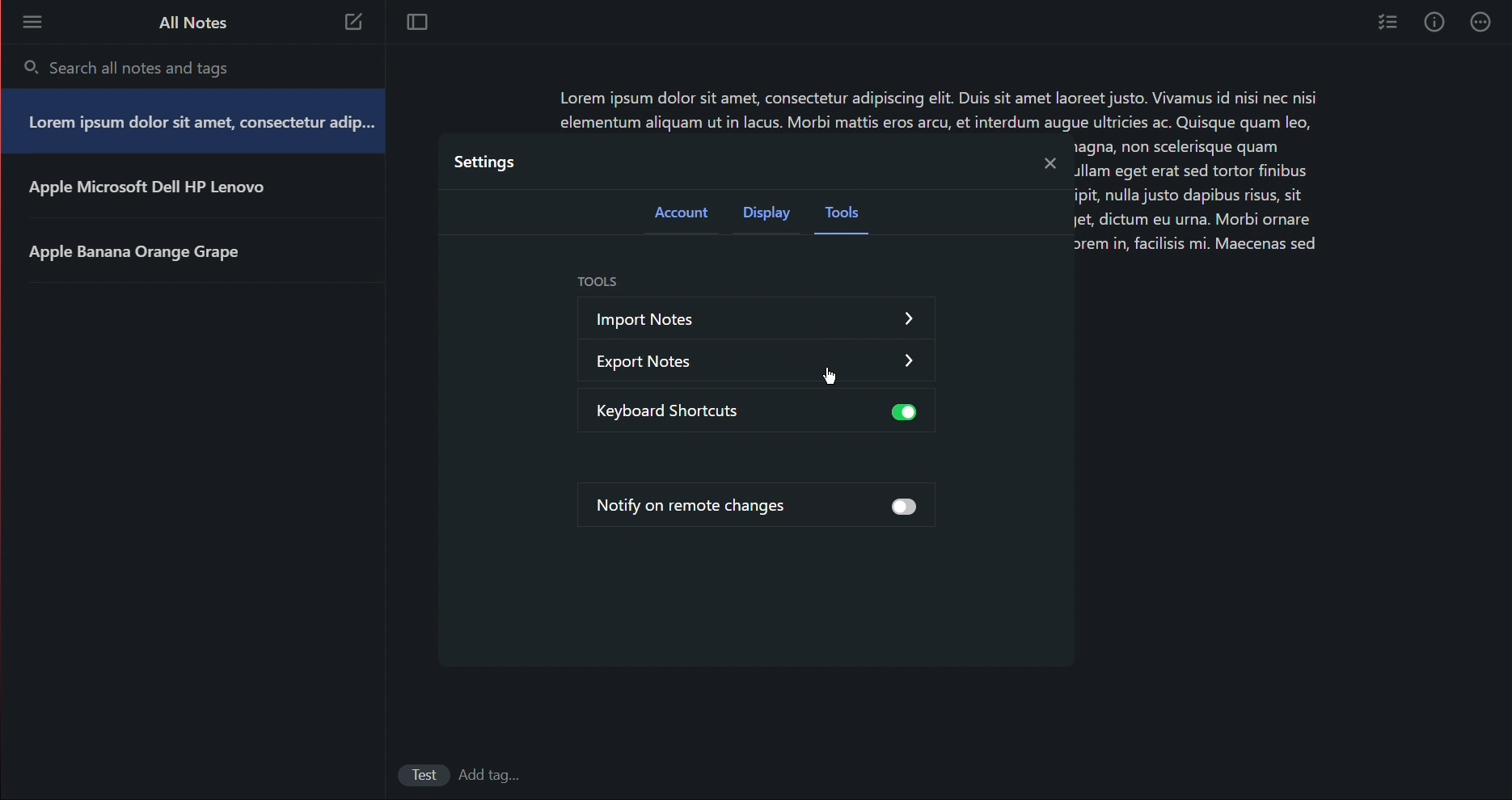 This screenshot has width=1512, height=800. Describe the element at coordinates (424, 777) in the screenshot. I see `Test` at that location.